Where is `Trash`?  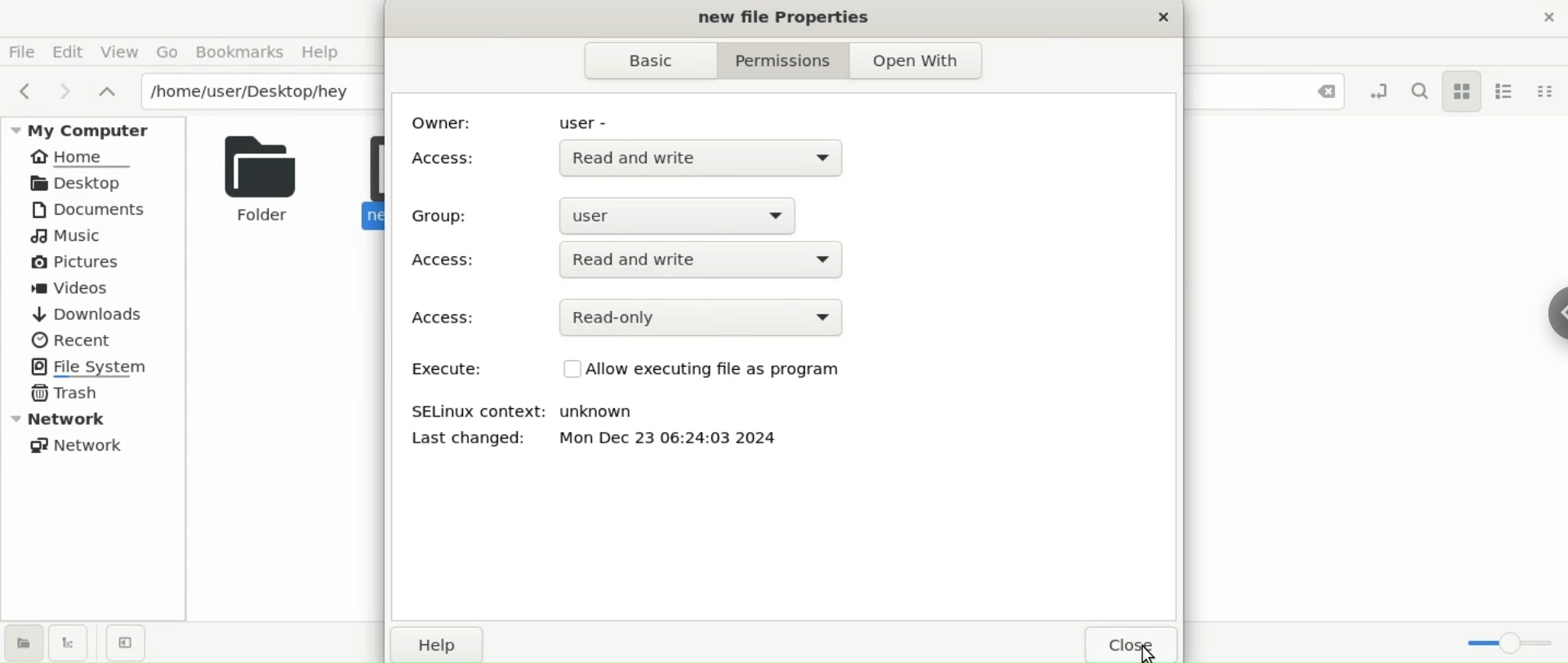 Trash is located at coordinates (67, 394).